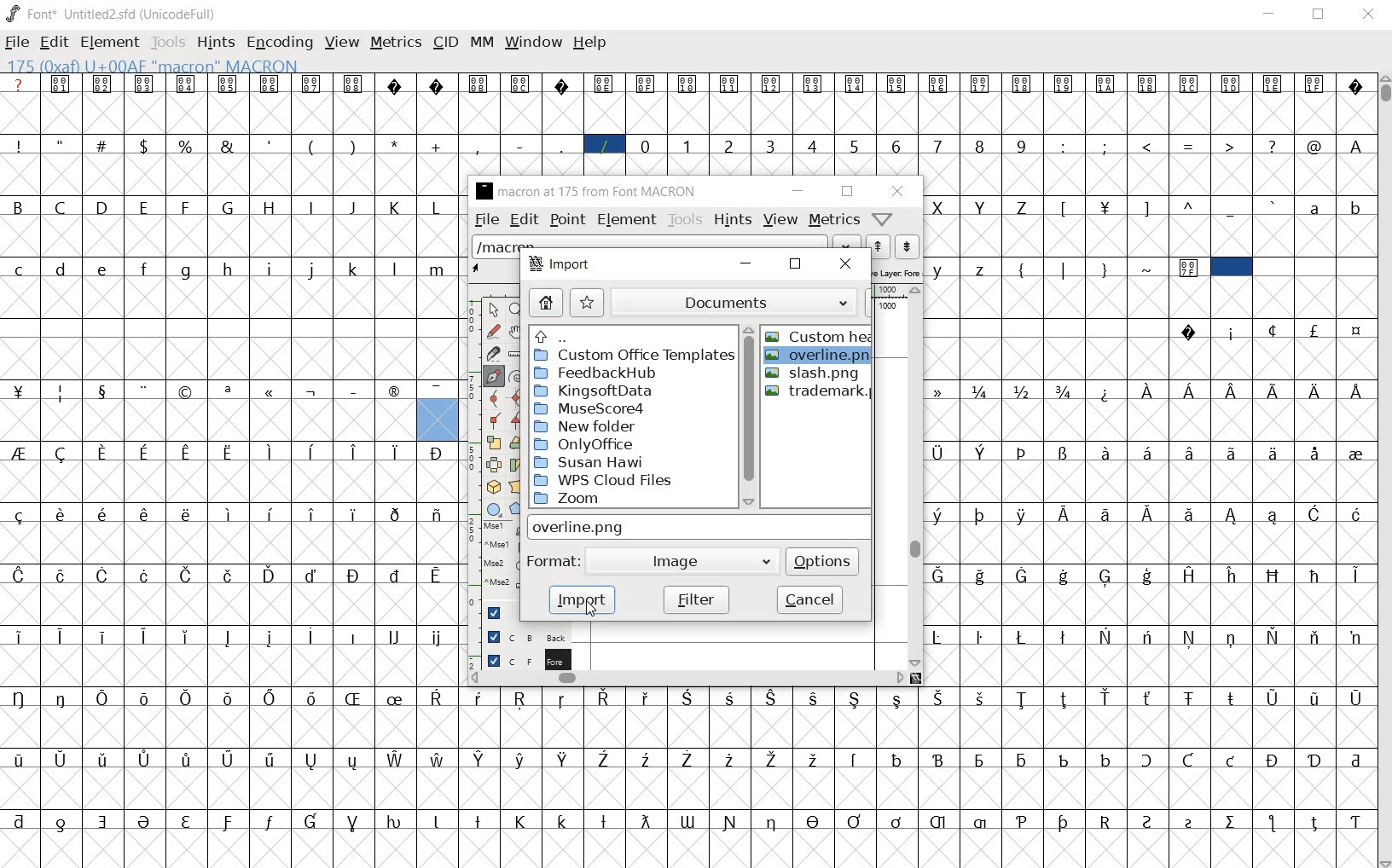 Image resolution: width=1392 pixels, height=868 pixels. What do you see at coordinates (351, 636) in the screenshot?
I see `Symbol` at bounding box center [351, 636].